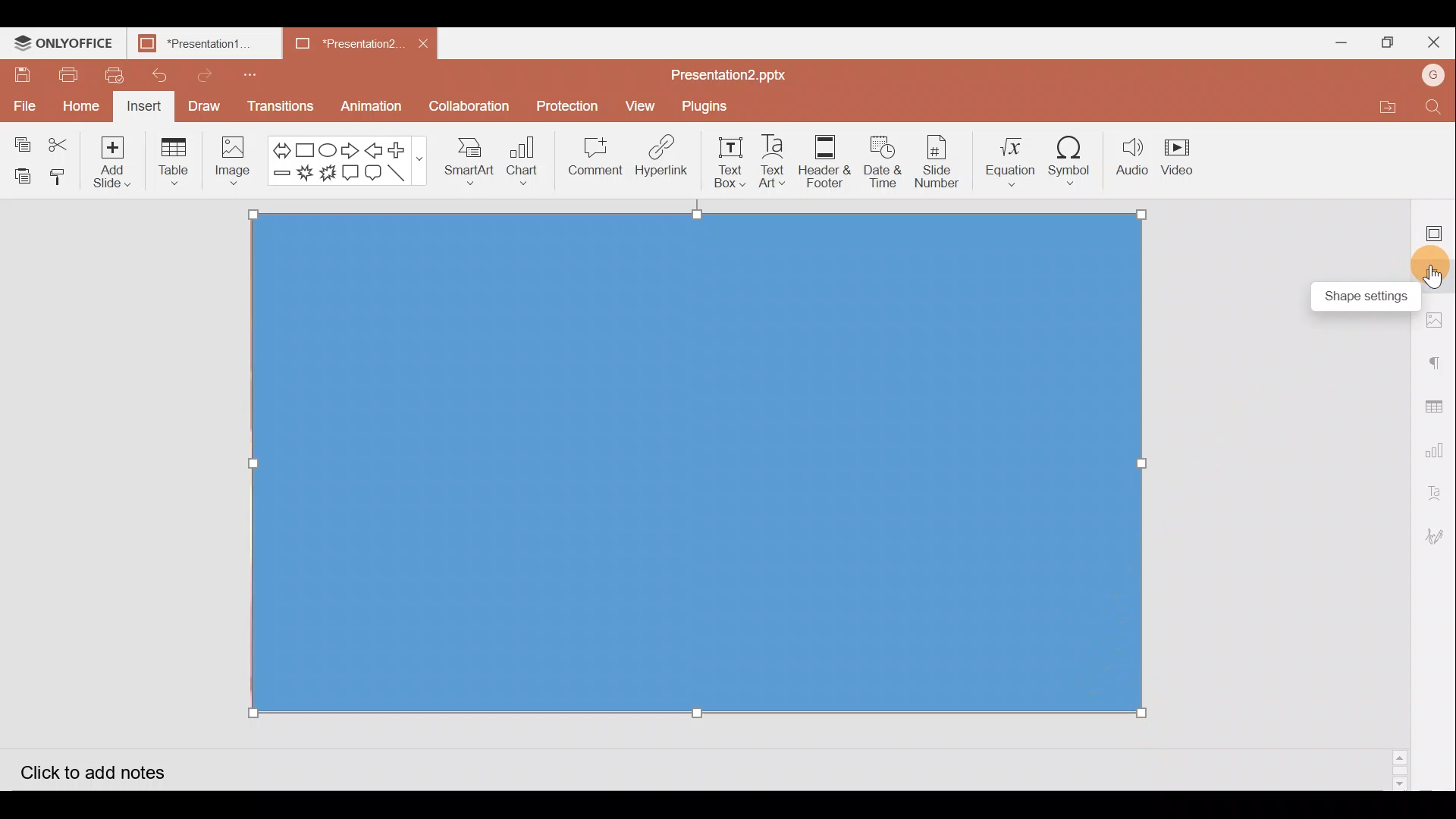 The image size is (1456, 819). I want to click on Presentation2., so click(337, 44).